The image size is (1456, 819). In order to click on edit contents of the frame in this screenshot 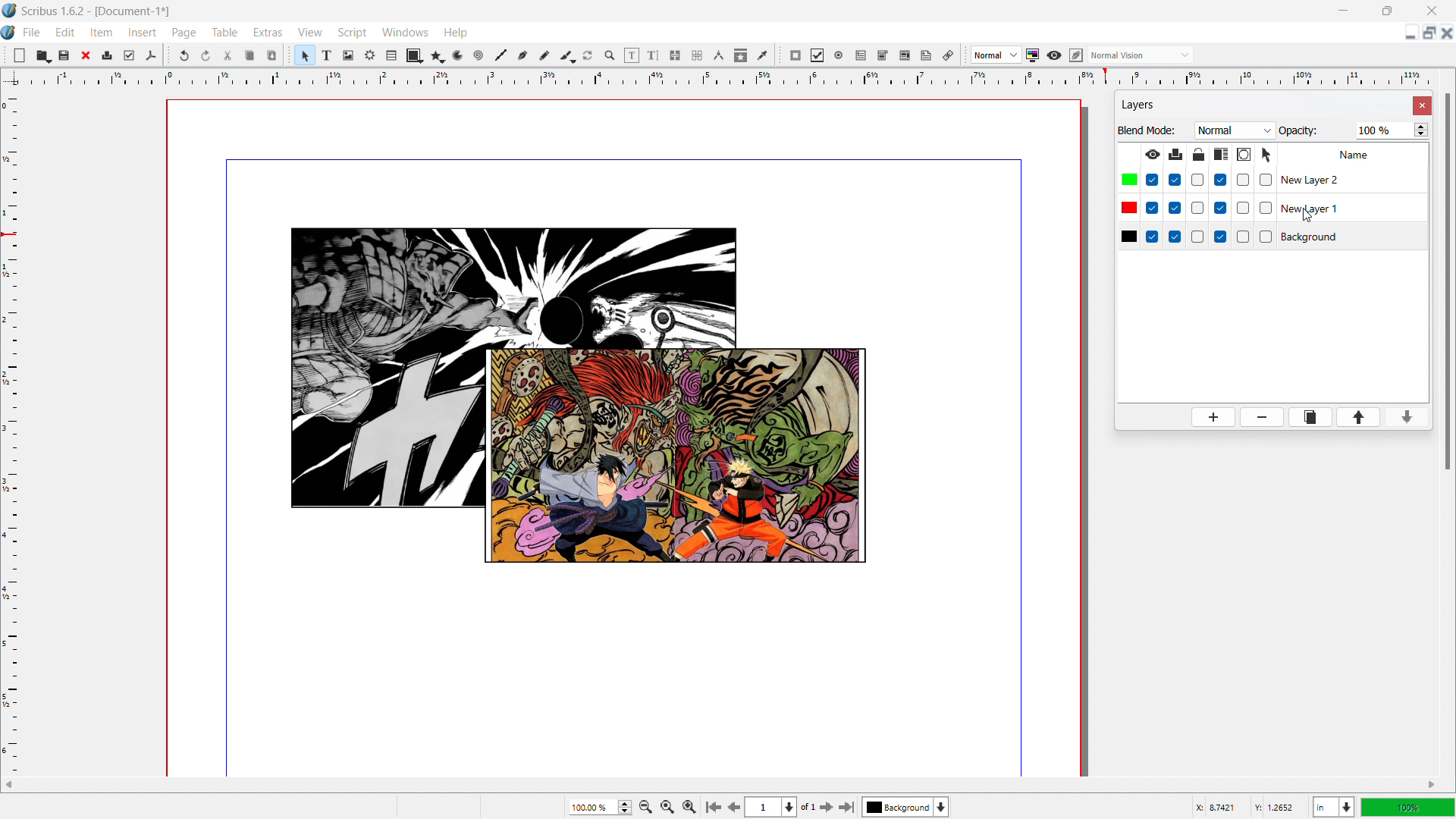, I will do `click(632, 55)`.